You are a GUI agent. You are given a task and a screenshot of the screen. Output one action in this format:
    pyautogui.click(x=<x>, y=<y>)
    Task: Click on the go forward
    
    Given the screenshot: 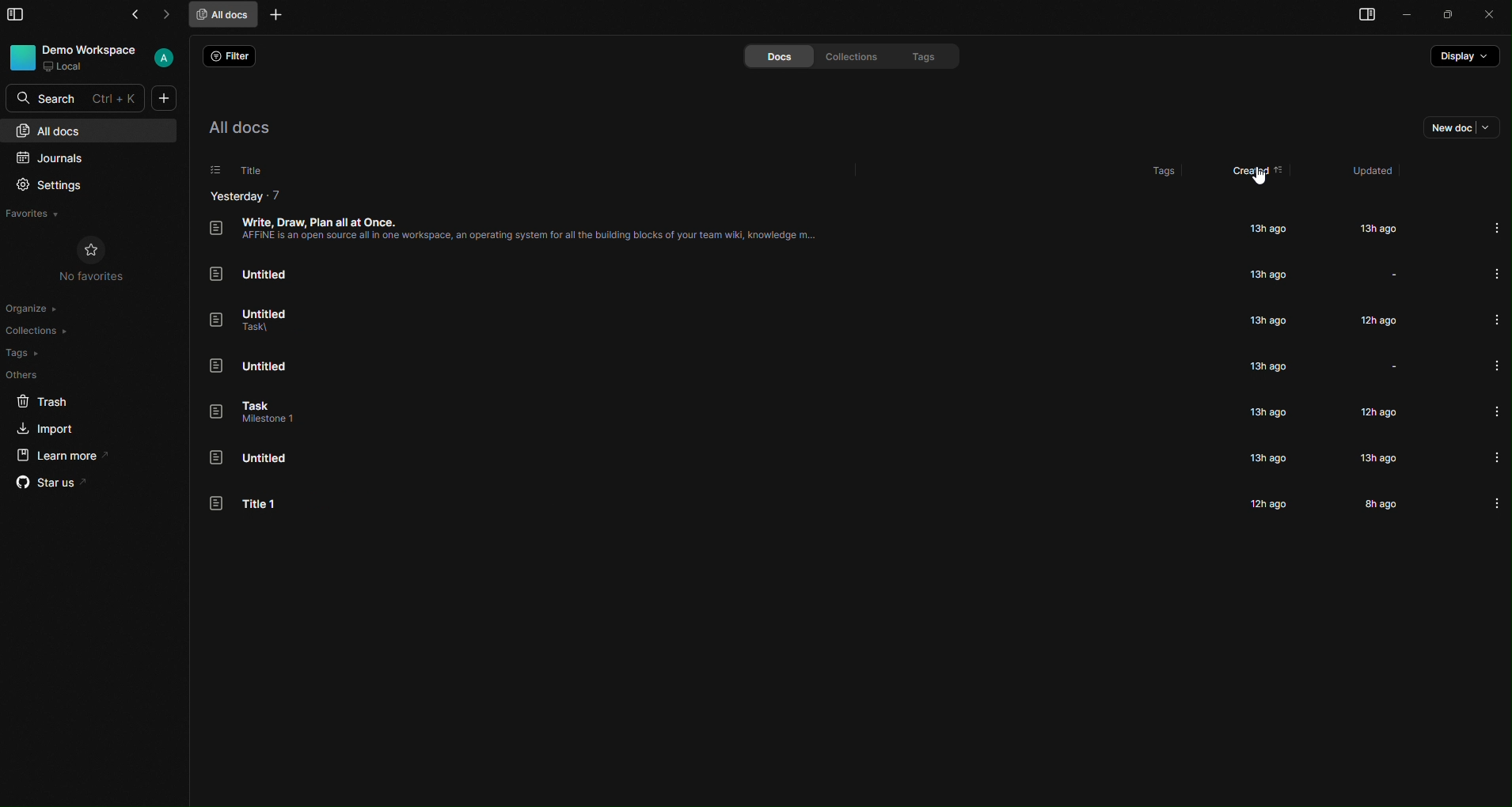 What is the action you would take?
    pyautogui.click(x=171, y=13)
    